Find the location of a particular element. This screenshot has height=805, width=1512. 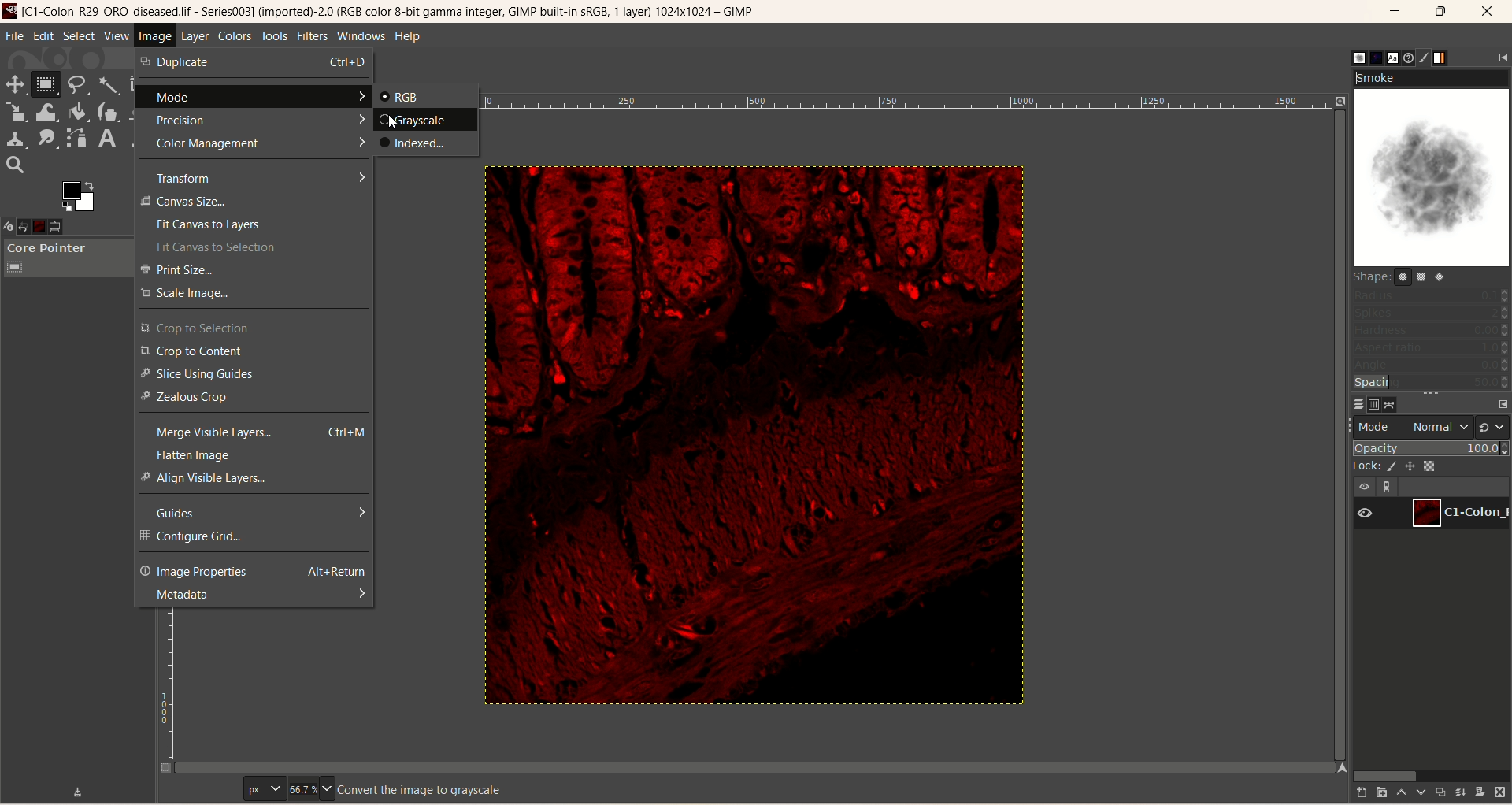

horizontal scroll bar is located at coordinates (1431, 775).